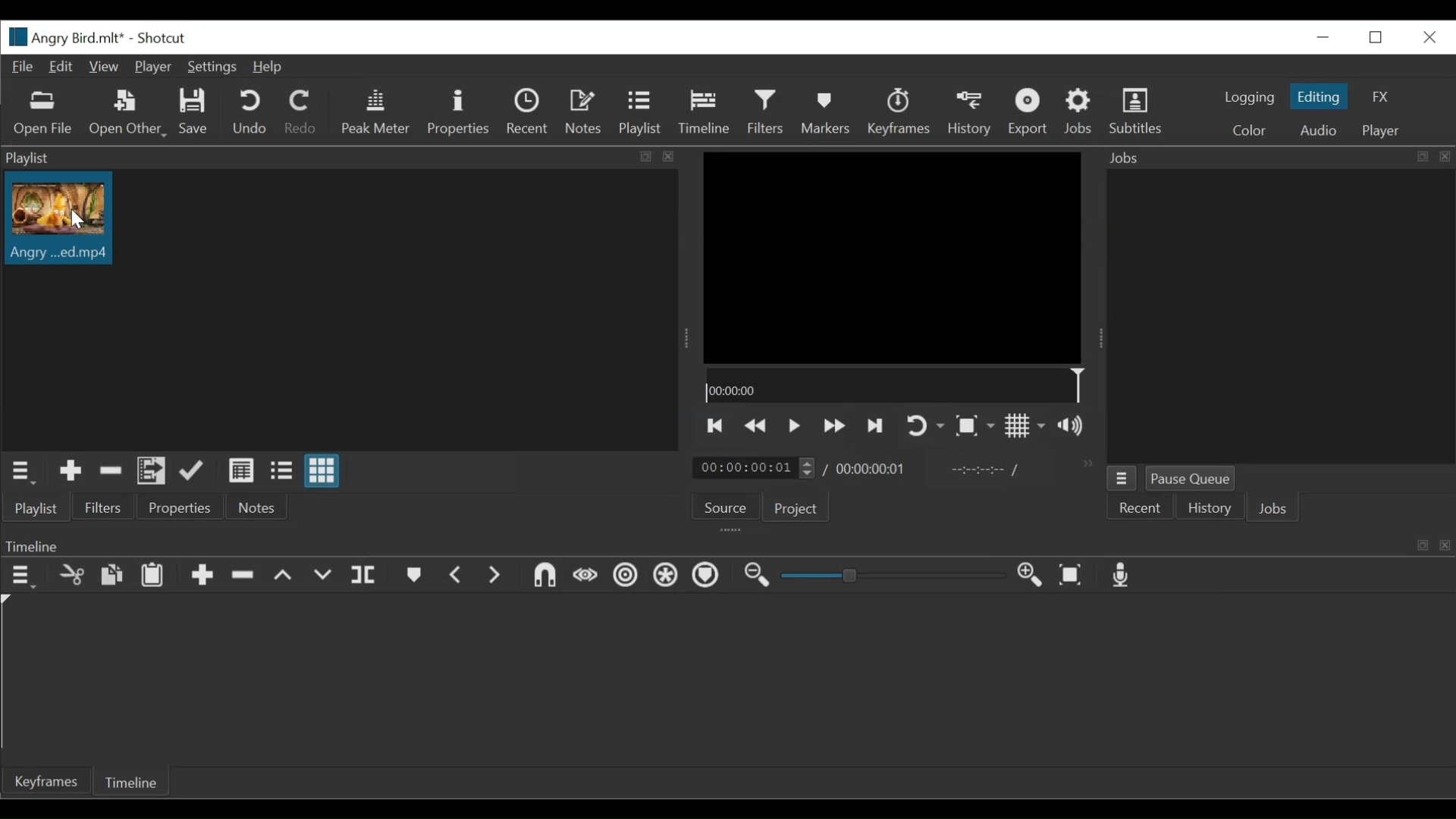  Describe the element at coordinates (269, 67) in the screenshot. I see `Help` at that location.